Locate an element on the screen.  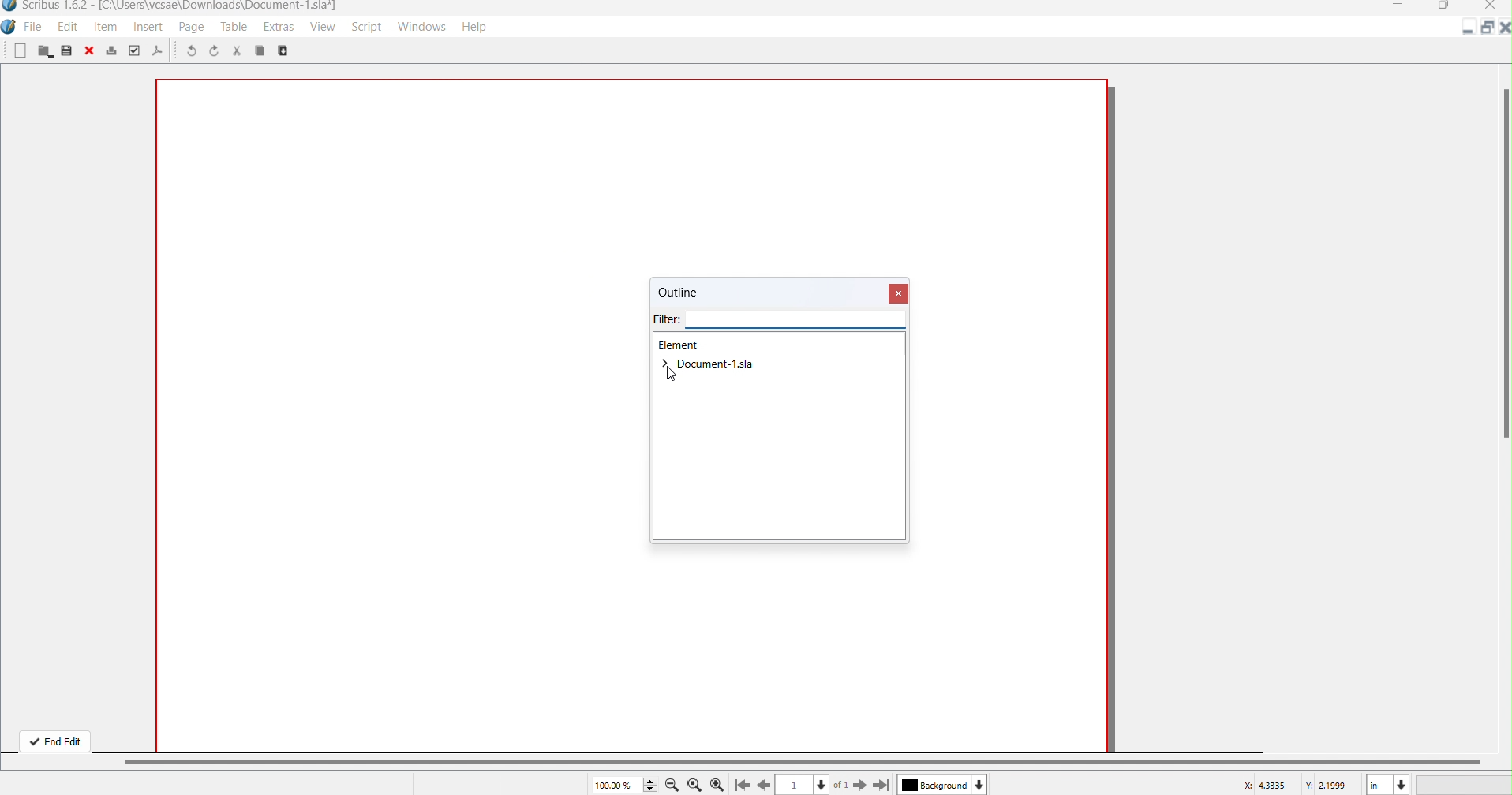
Minimize is located at coordinates (1398, 6).